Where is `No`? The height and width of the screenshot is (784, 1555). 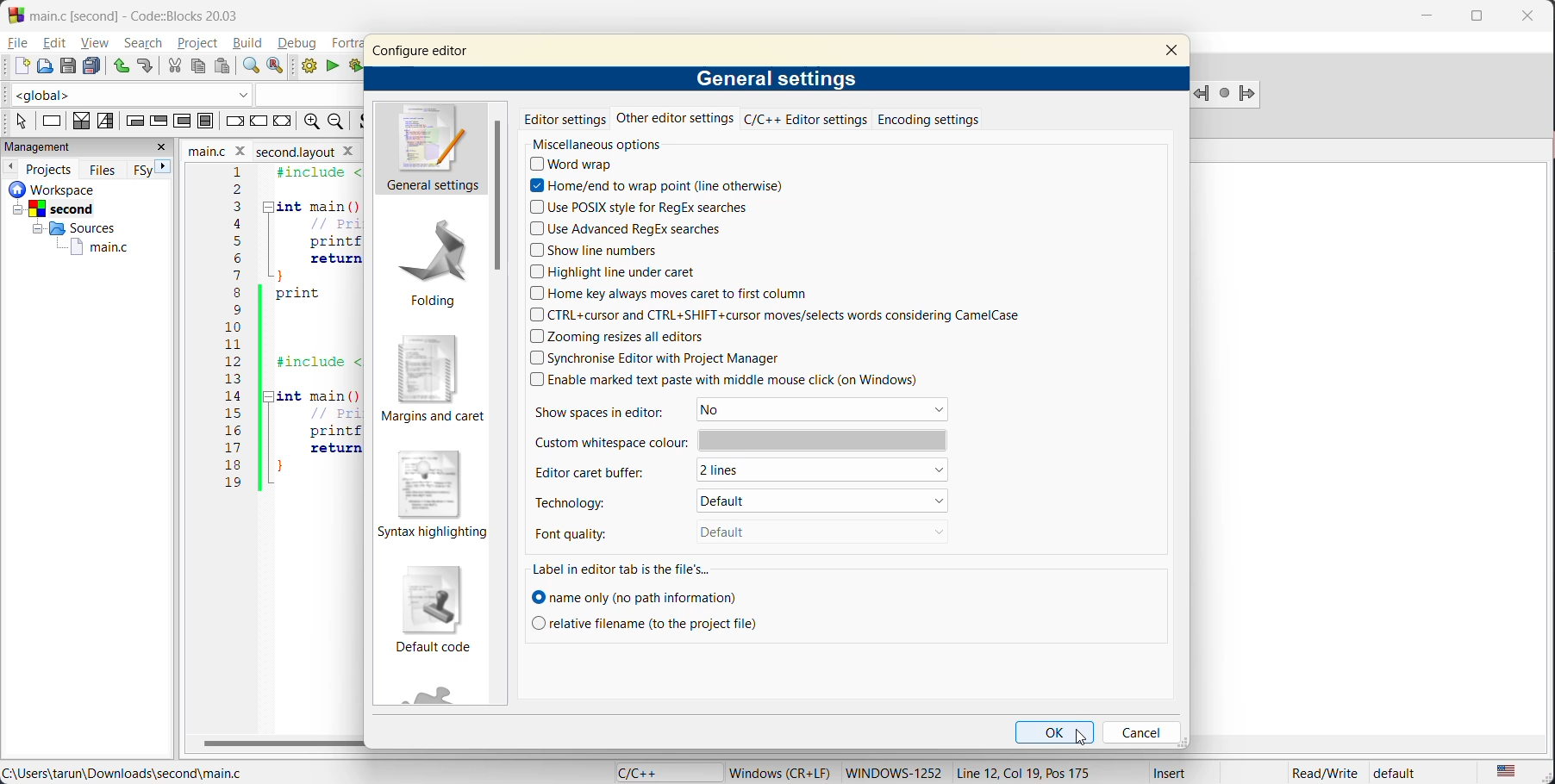
No is located at coordinates (827, 410).